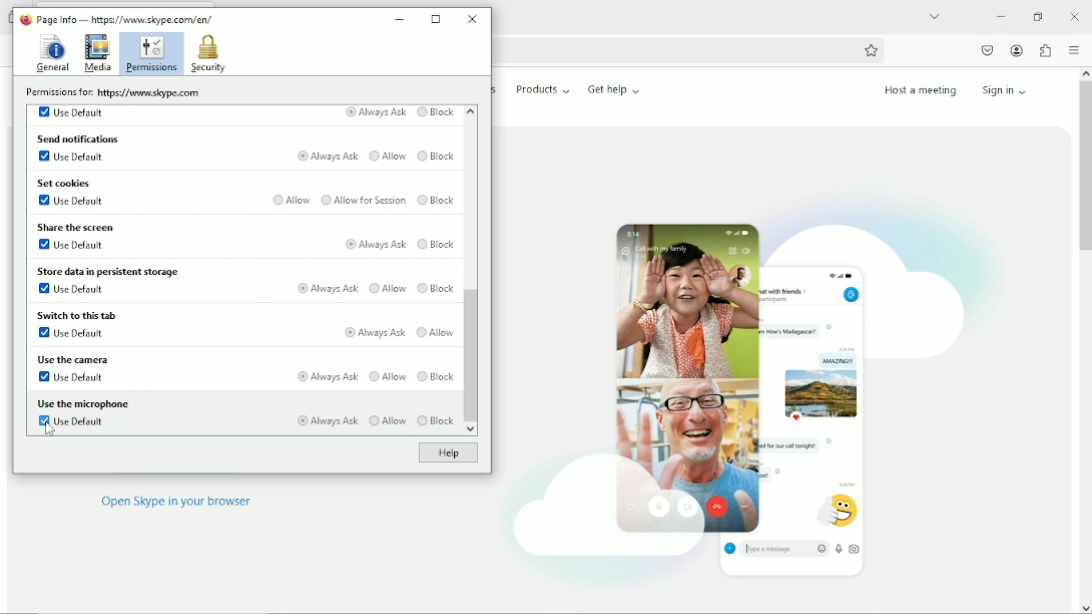 This screenshot has height=614, width=1092. I want to click on Open skype in browser, so click(176, 502).